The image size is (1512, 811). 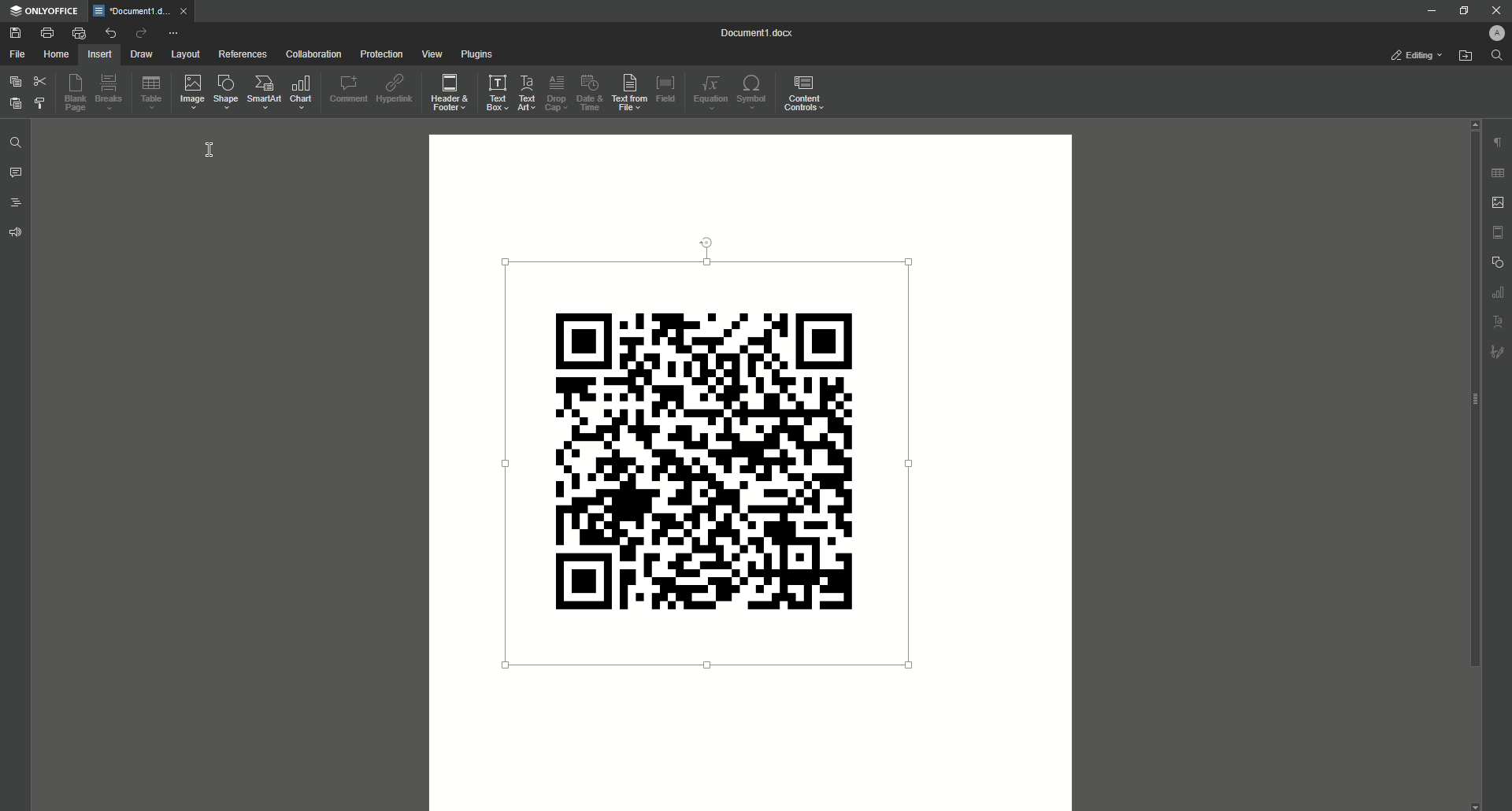 What do you see at coordinates (299, 93) in the screenshot?
I see `Chart` at bounding box center [299, 93].